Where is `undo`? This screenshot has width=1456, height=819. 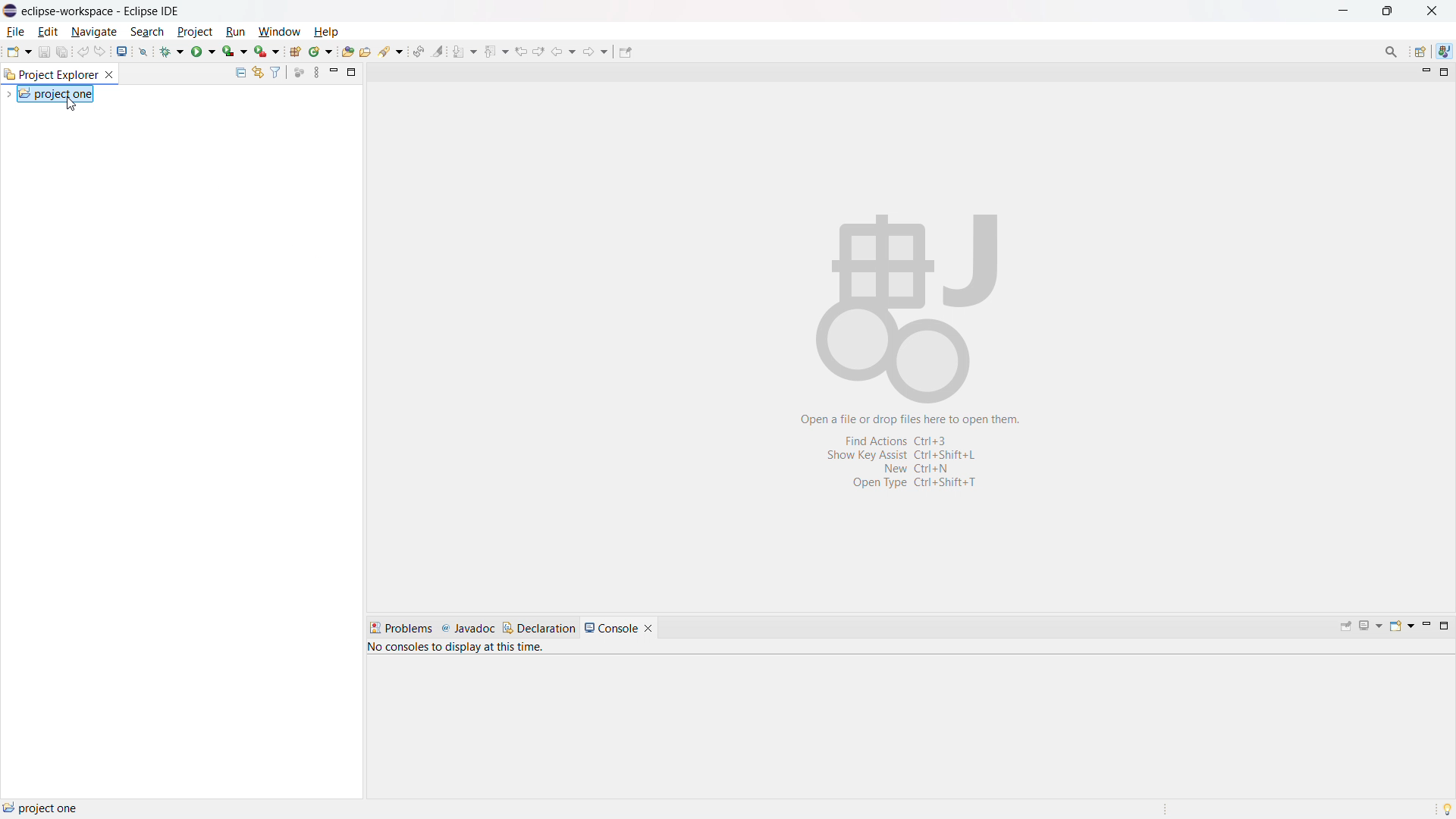
undo is located at coordinates (83, 51).